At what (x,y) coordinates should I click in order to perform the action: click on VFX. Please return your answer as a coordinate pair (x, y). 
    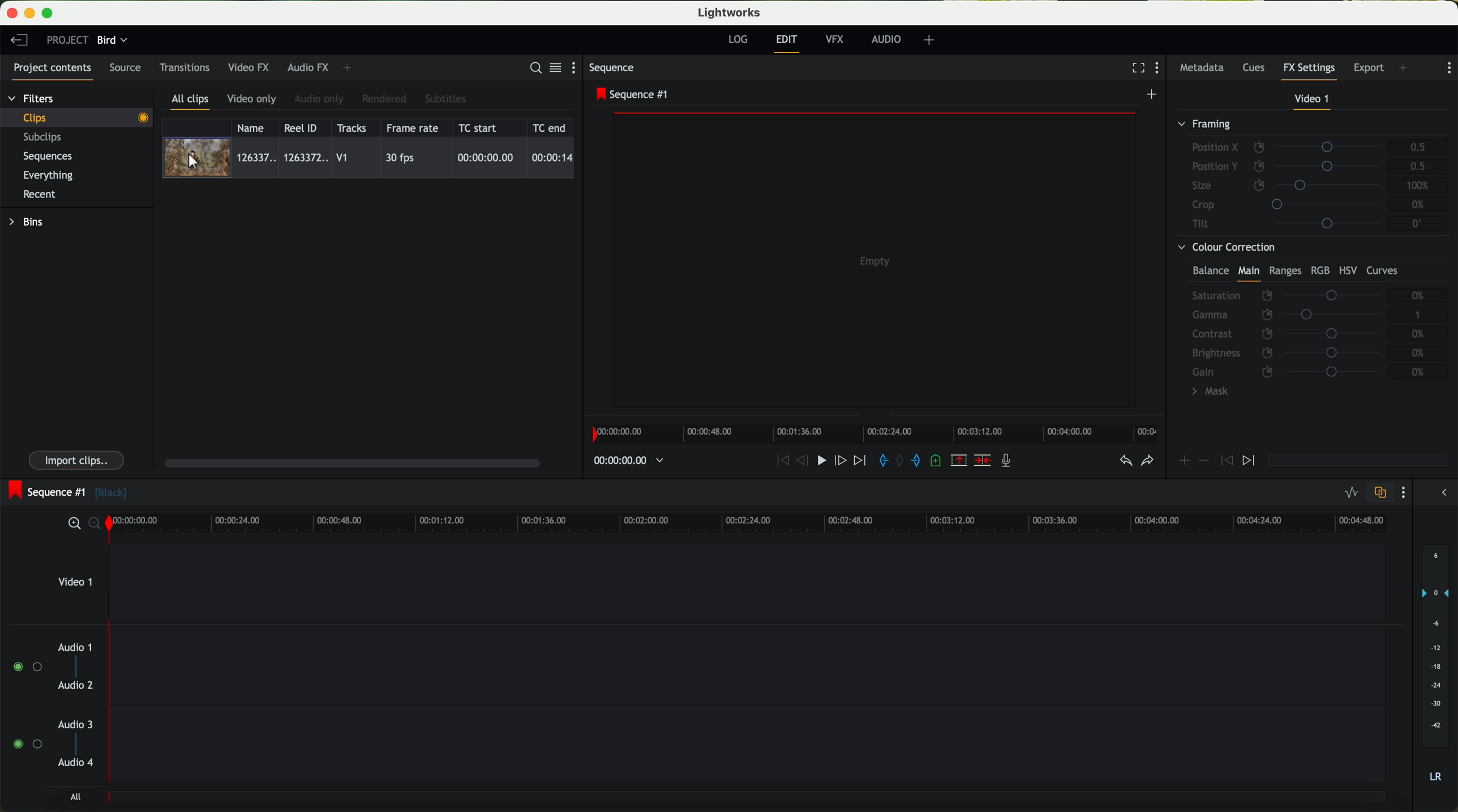
    Looking at the image, I should click on (837, 40).